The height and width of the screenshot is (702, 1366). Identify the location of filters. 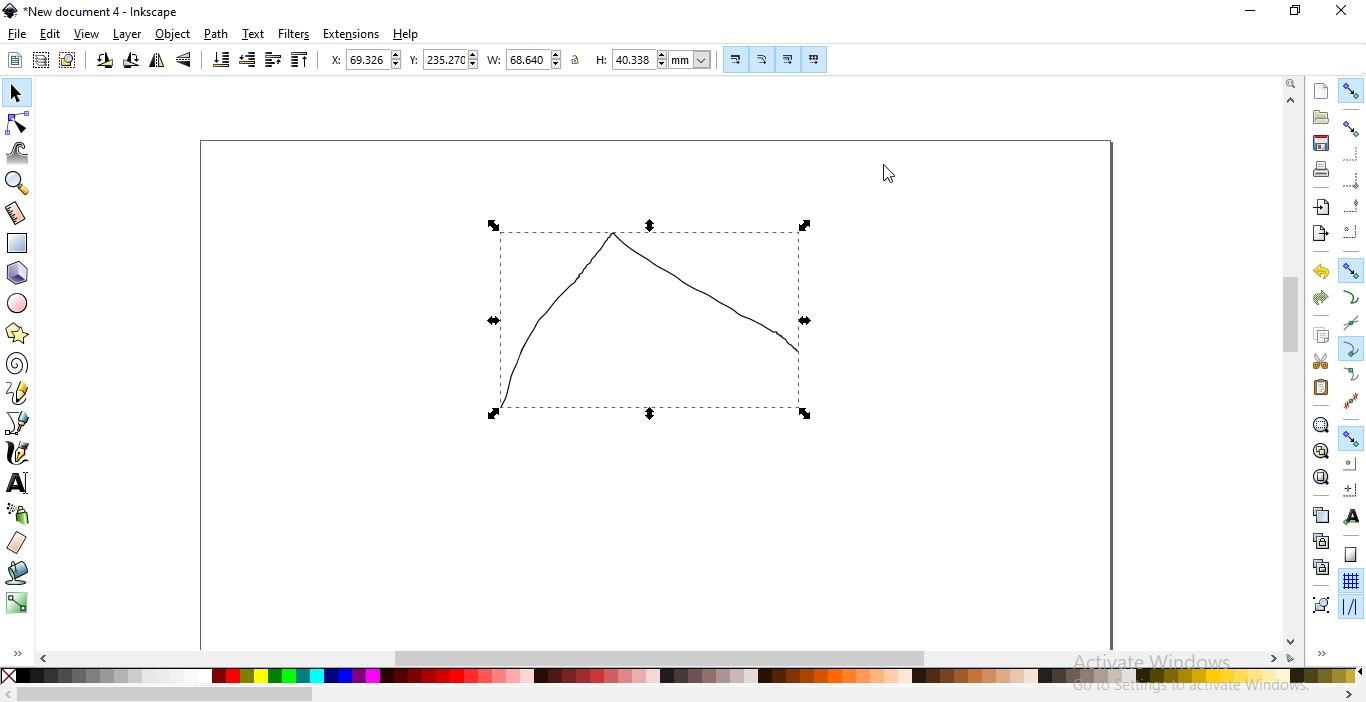
(295, 34).